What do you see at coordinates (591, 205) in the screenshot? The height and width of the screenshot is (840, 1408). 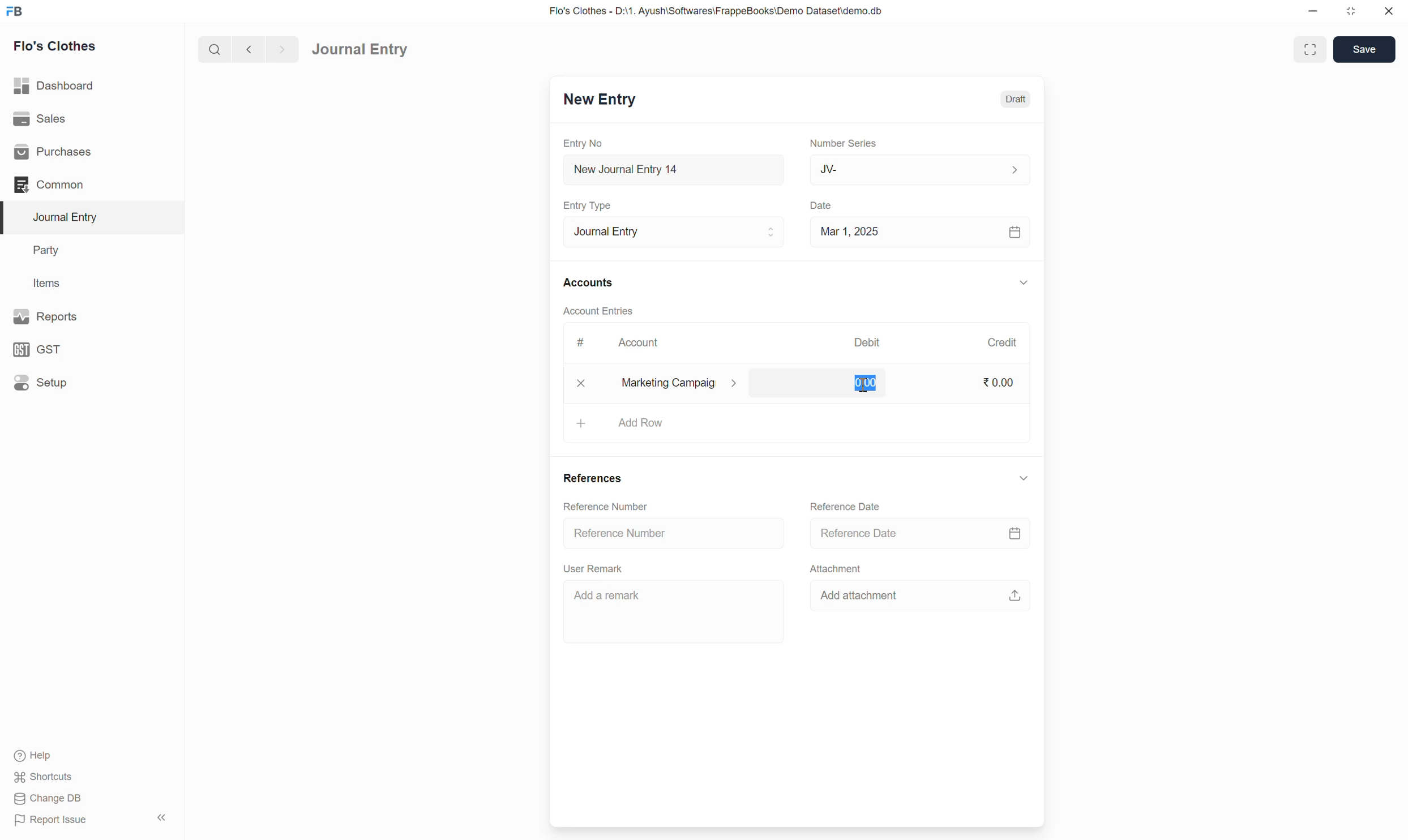 I see `Entry Type` at bounding box center [591, 205].